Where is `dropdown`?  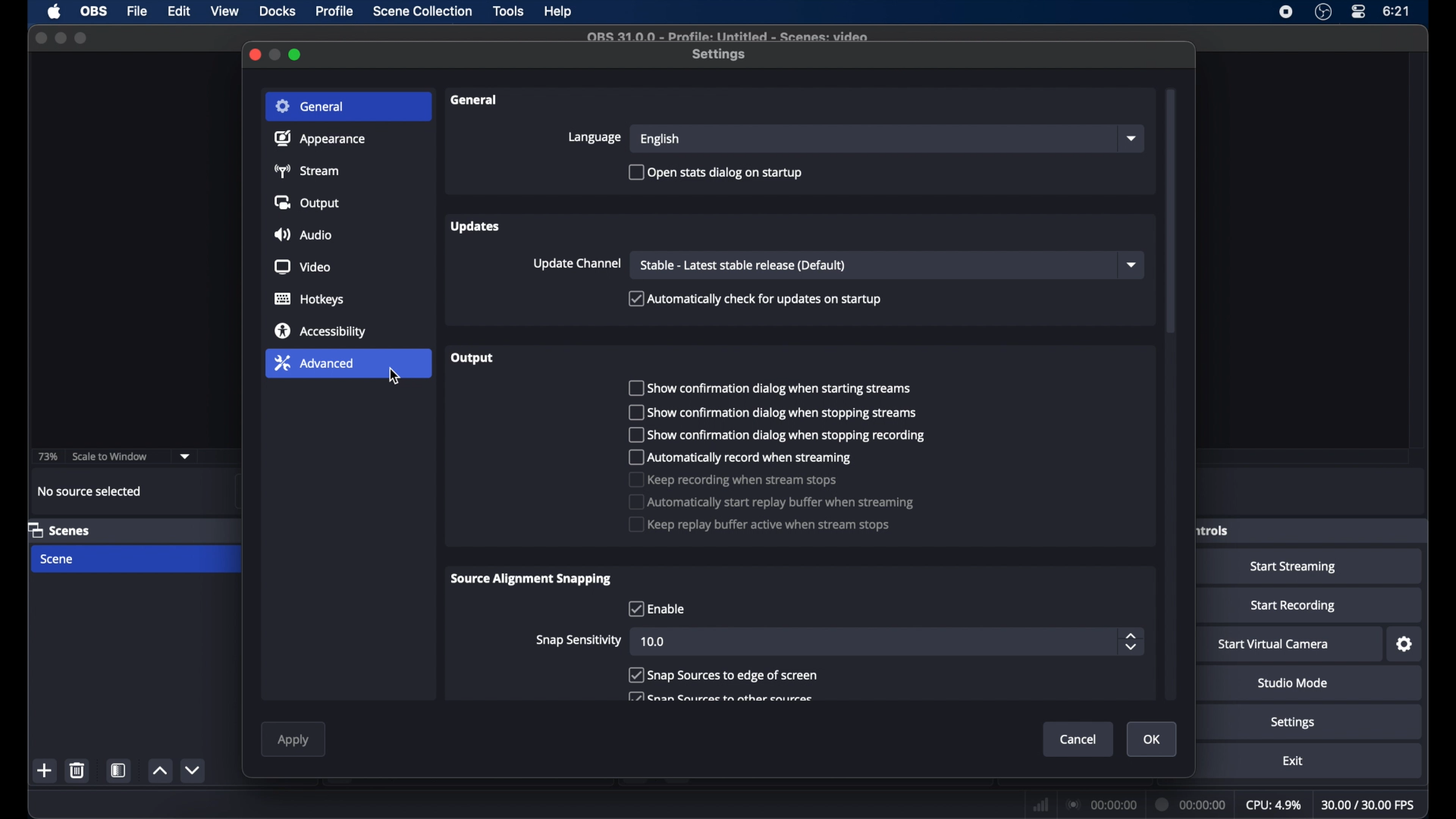
dropdown is located at coordinates (186, 457).